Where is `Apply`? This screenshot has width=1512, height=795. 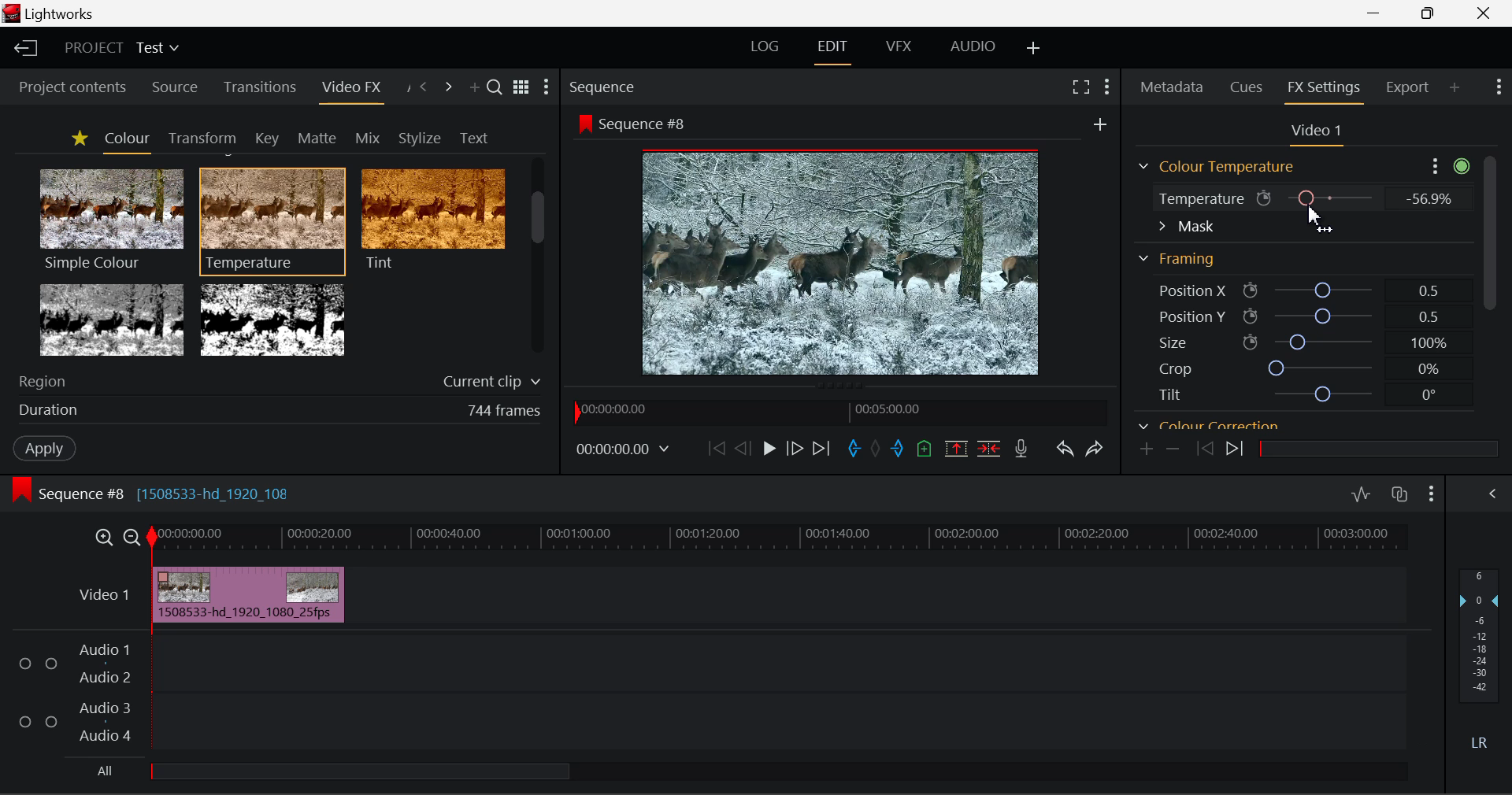
Apply is located at coordinates (36, 447).